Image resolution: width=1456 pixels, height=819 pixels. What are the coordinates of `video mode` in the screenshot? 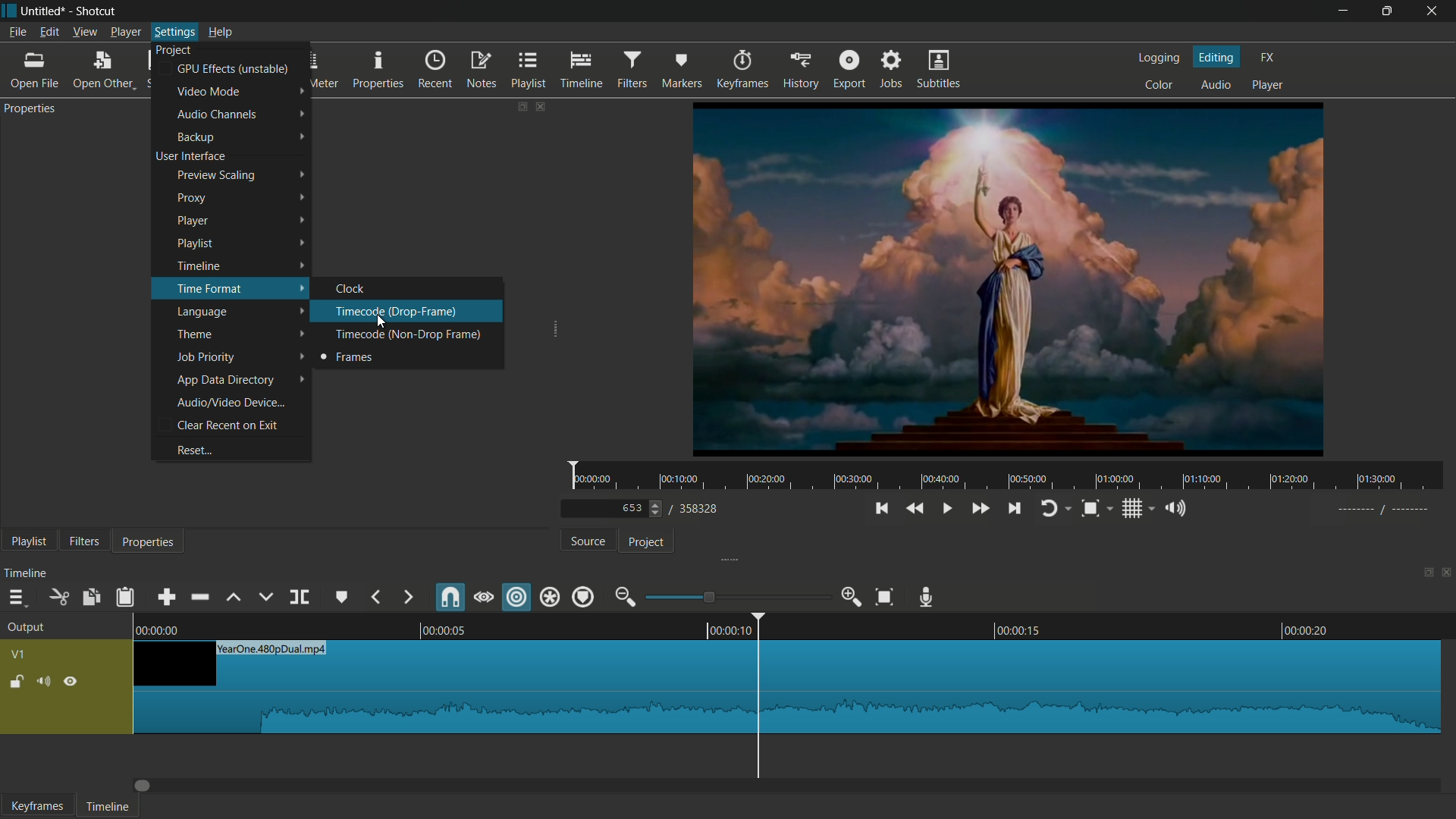 It's located at (209, 92).